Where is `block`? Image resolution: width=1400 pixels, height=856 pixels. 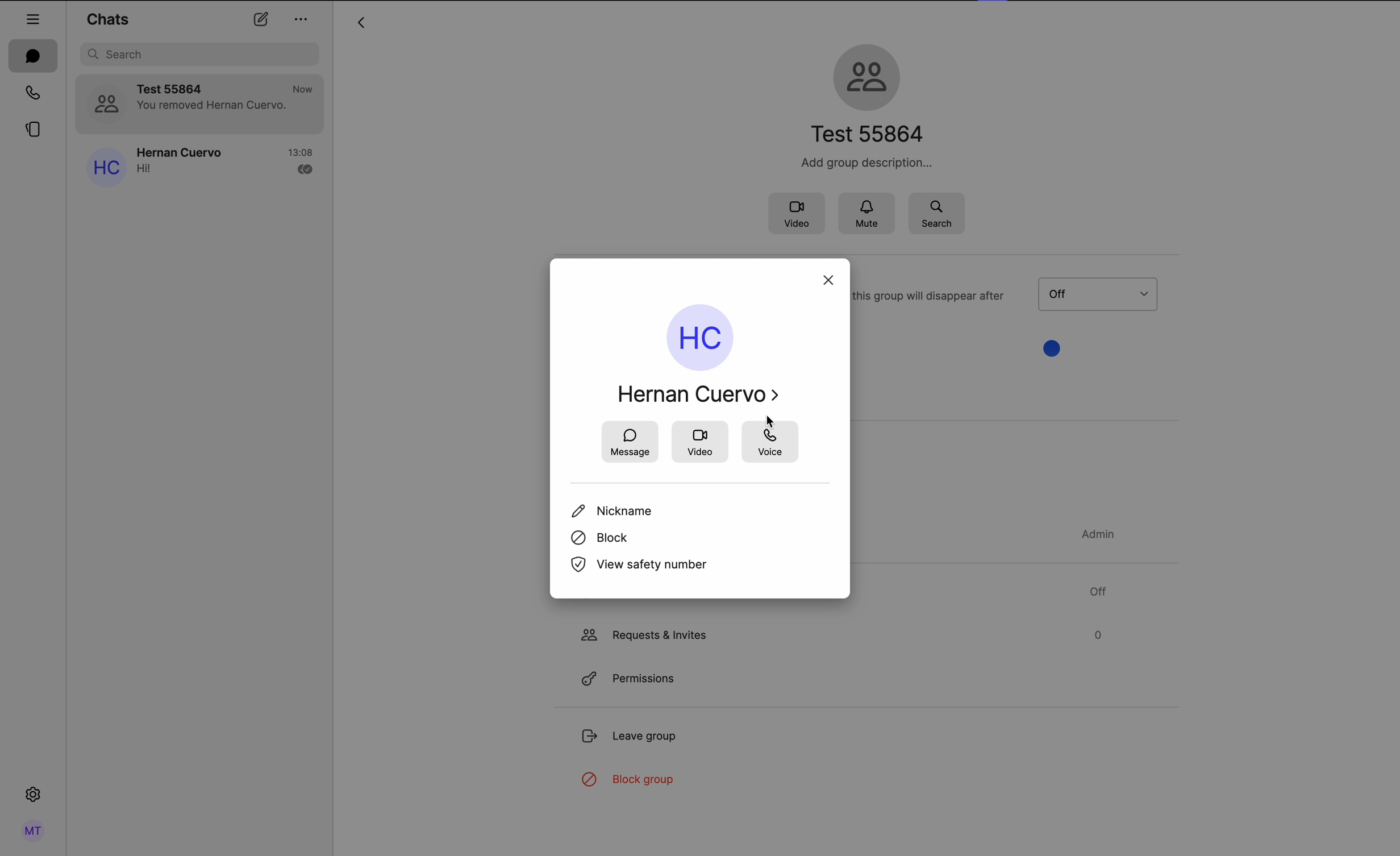 block is located at coordinates (601, 537).